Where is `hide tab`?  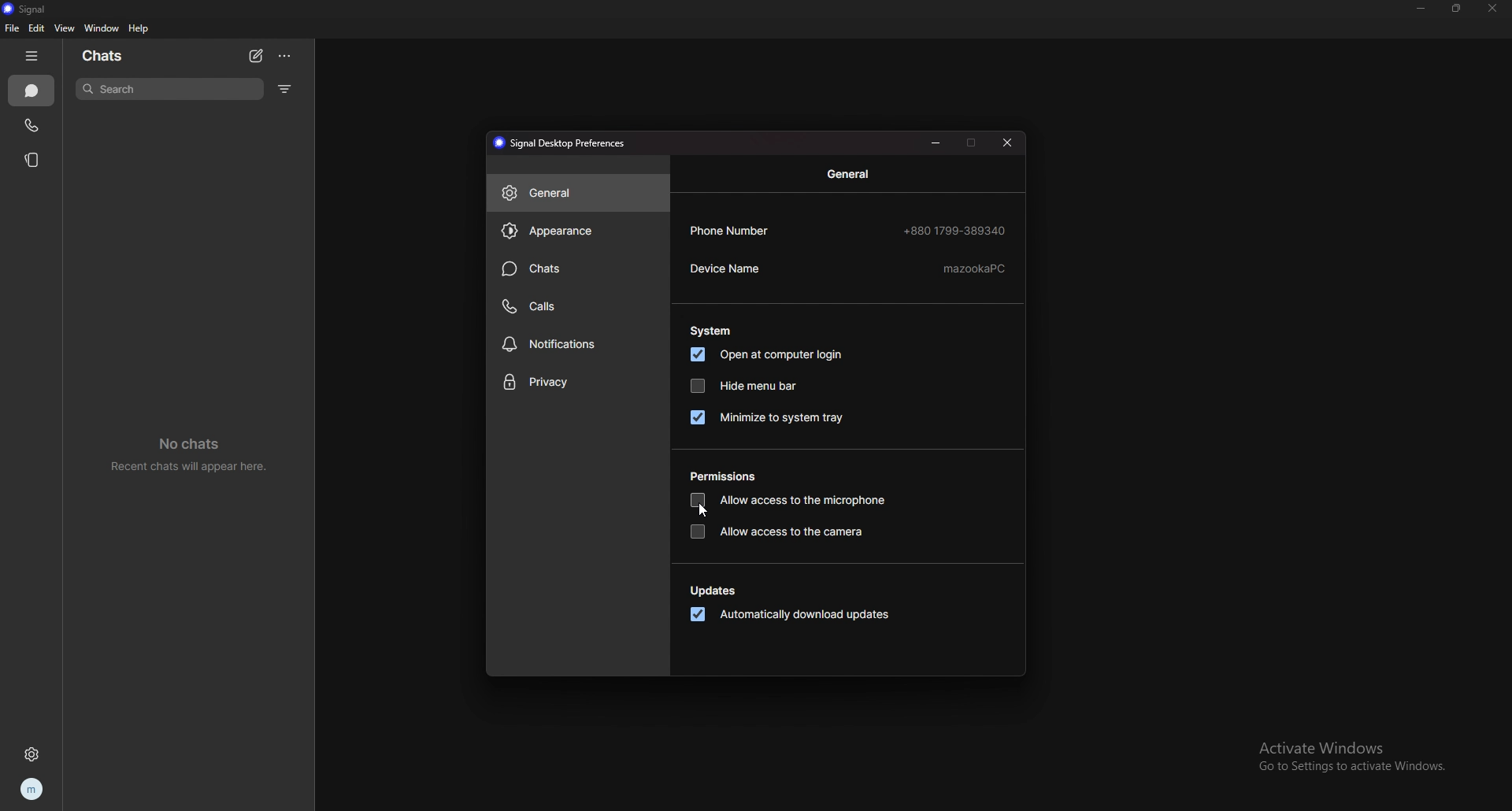
hide tab is located at coordinates (31, 57).